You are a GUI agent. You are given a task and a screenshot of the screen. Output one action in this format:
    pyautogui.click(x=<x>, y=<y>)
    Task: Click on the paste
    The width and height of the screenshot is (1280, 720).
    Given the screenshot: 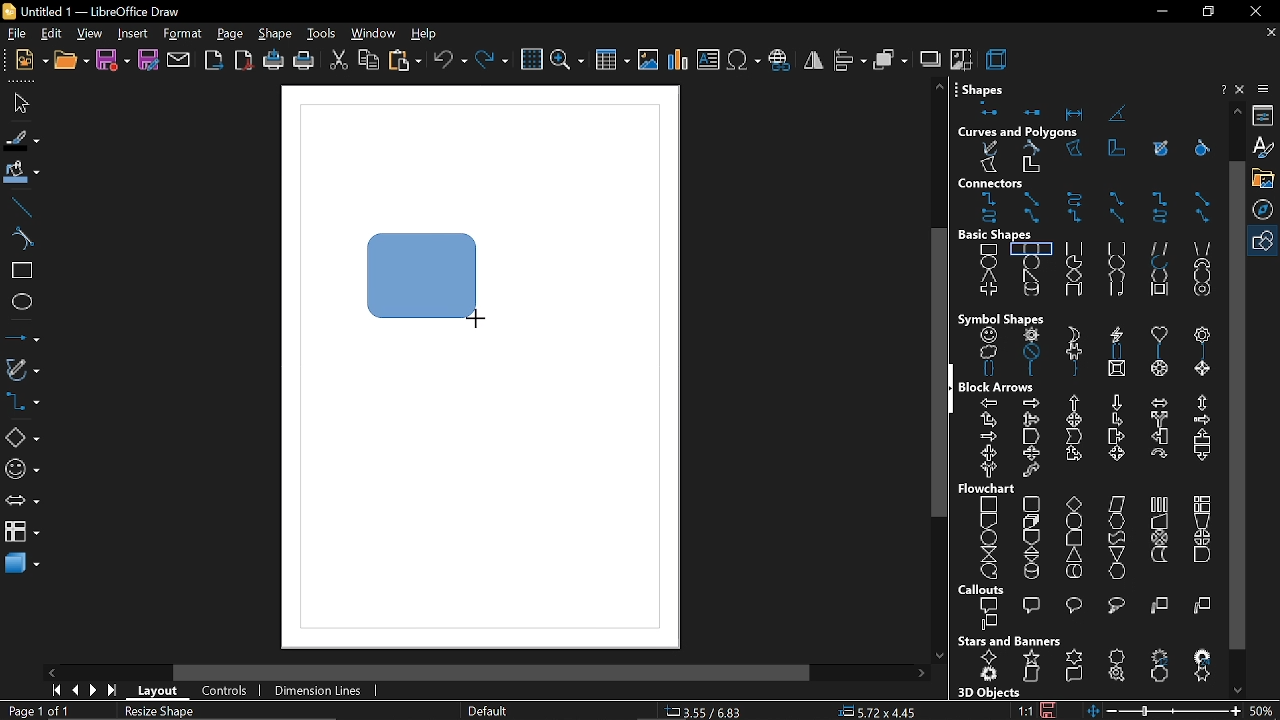 What is the action you would take?
    pyautogui.click(x=406, y=62)
    